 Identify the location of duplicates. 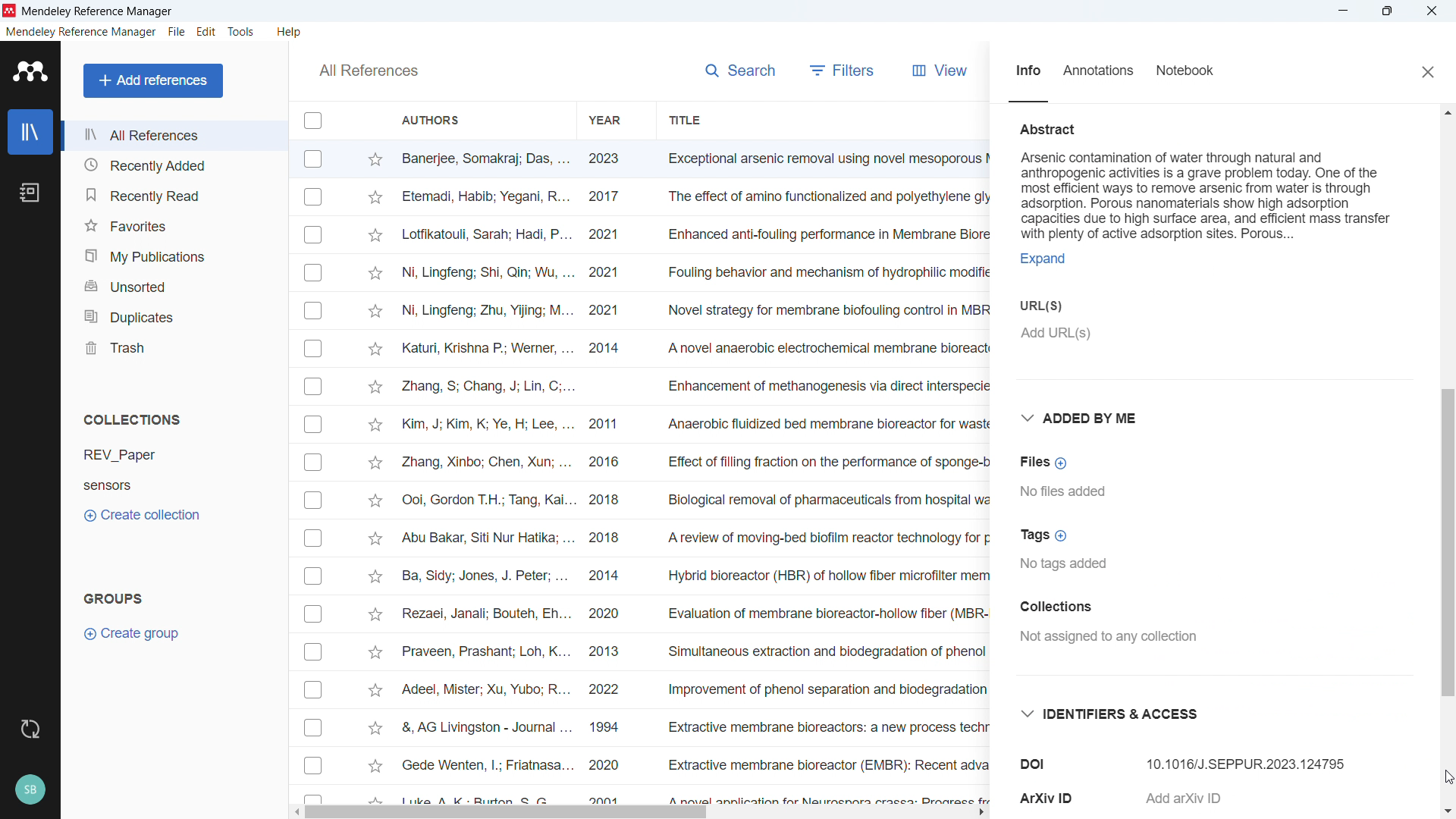
(173, 315).